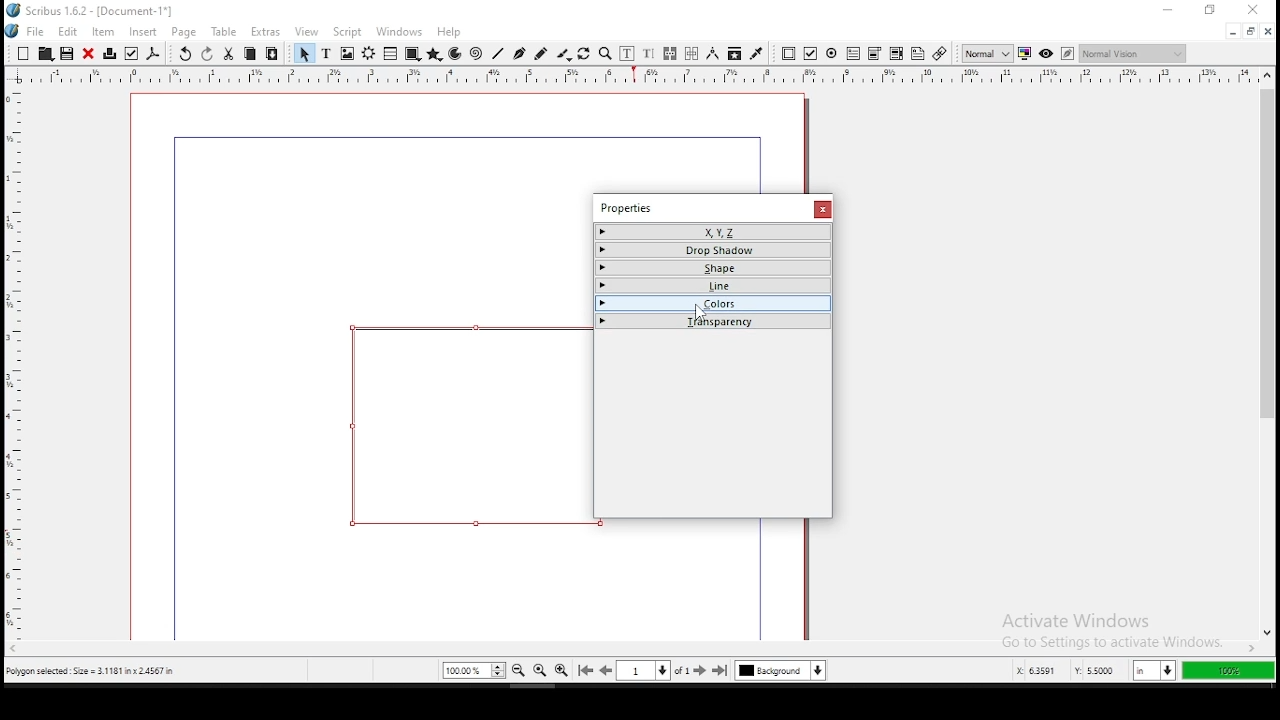  What do you see at coordinates (1044, 53) in the screenshot?
I see `preview mode` at bounding box center [1044, 53].